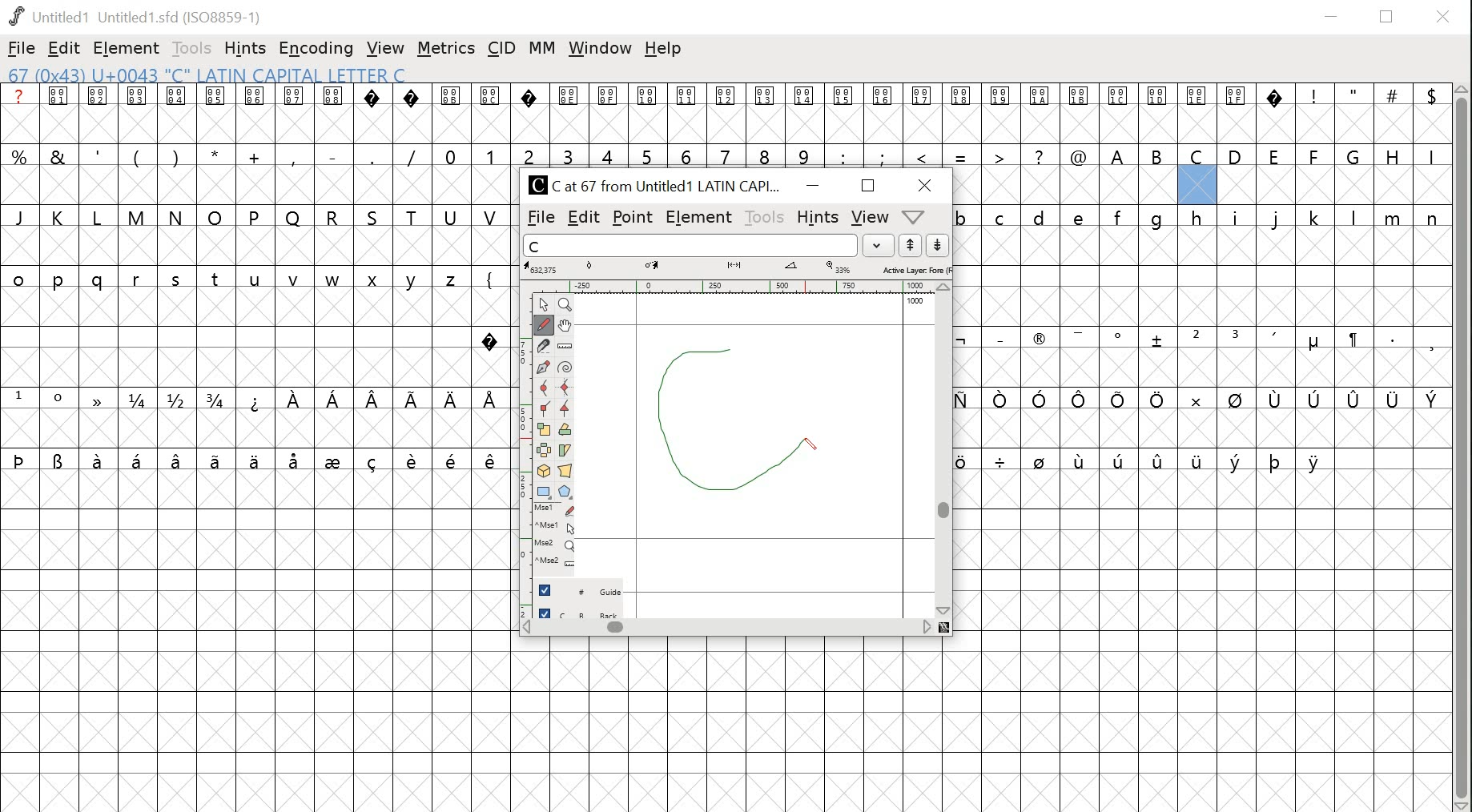 Image resolution: width=1472 pixels, height=812 pixels. Describe the element at coordinates (546, 472) in the screenshot. I see `3D rotate` at that location.